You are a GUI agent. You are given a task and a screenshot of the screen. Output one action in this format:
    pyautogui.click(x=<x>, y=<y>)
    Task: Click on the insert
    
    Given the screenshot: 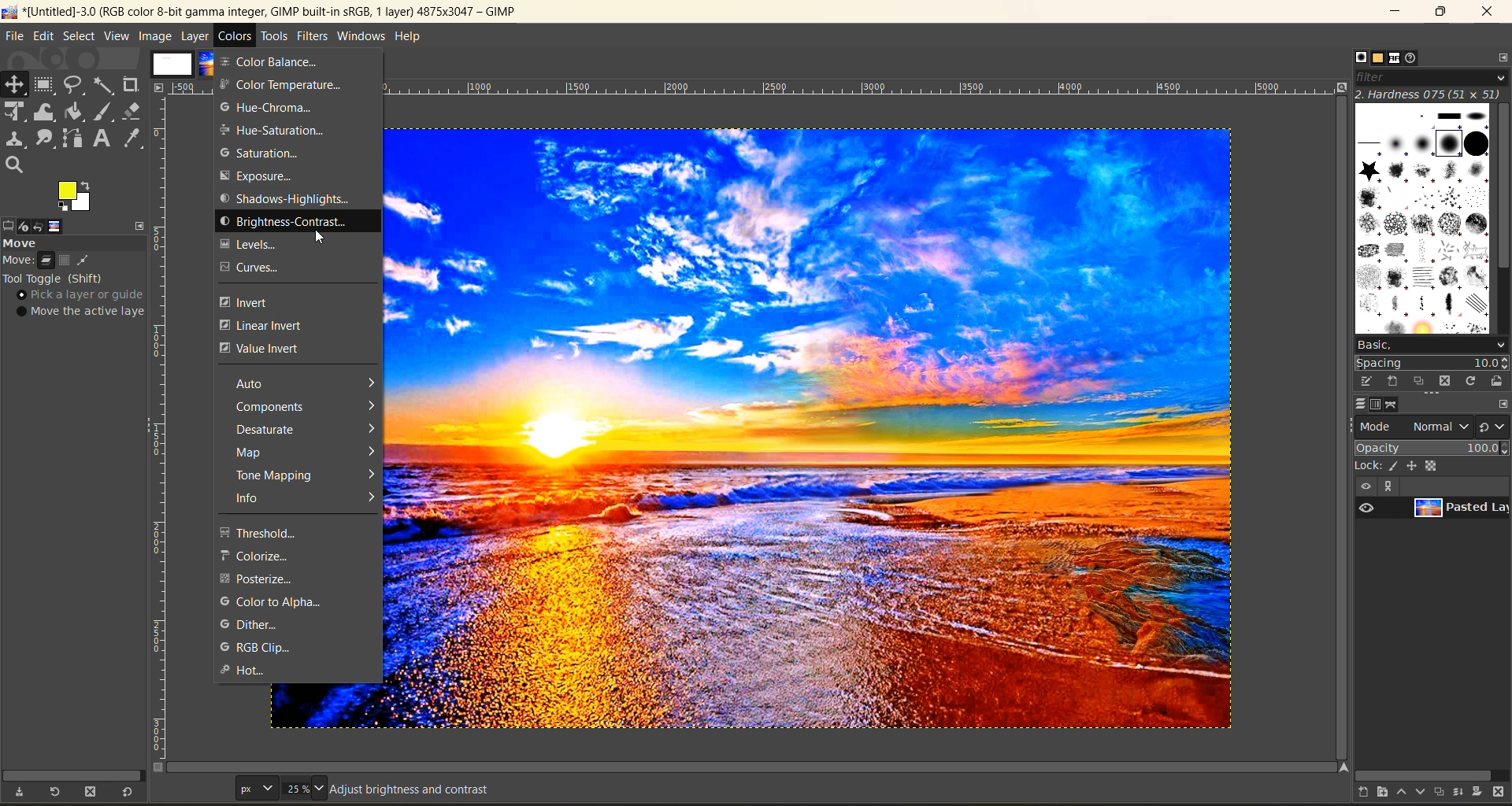 What is the action you would take?
    pyautogui.click(x=257, y=302)
    